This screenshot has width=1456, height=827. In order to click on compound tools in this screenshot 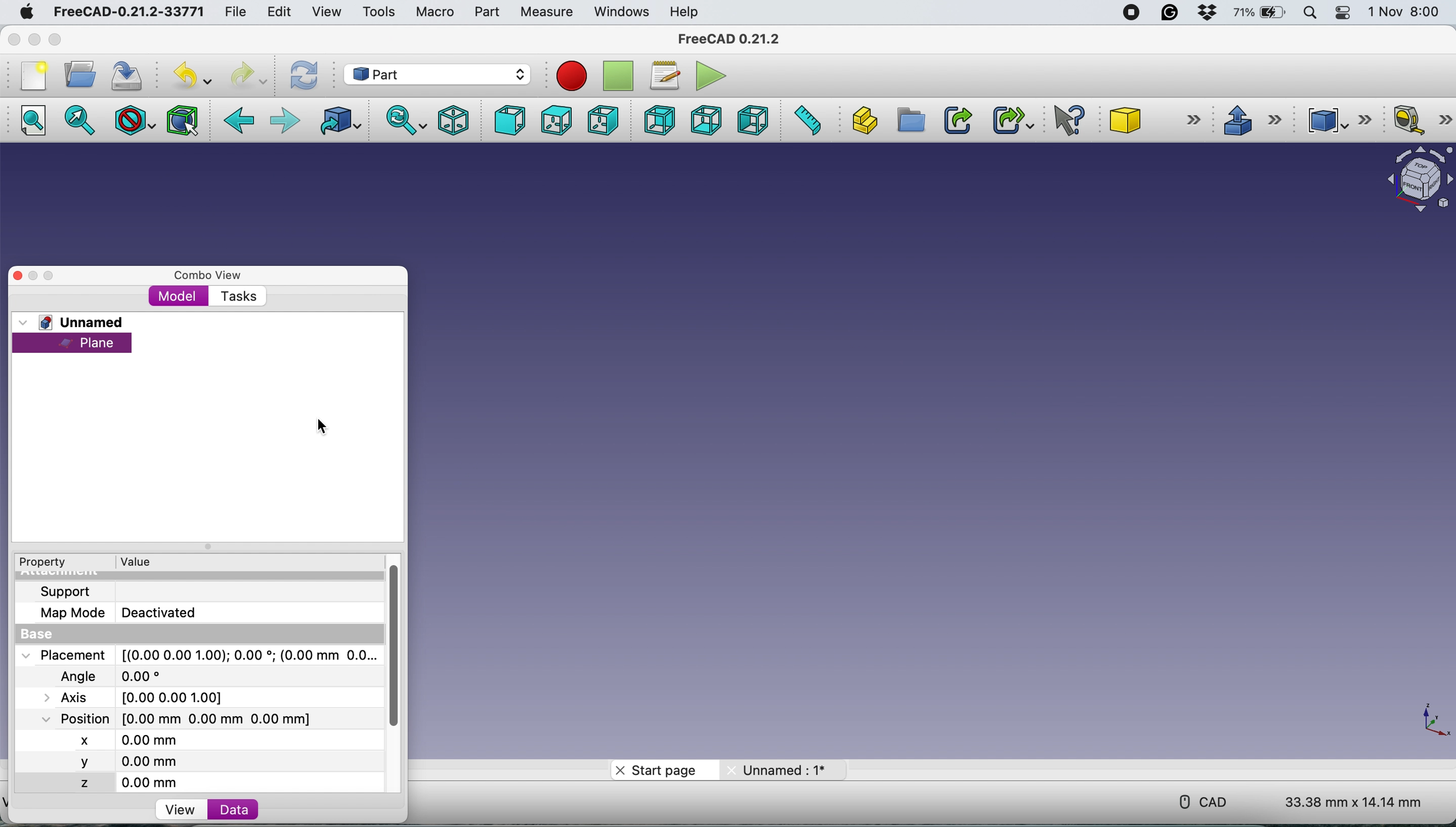, I will do `click(1342, 117)`.